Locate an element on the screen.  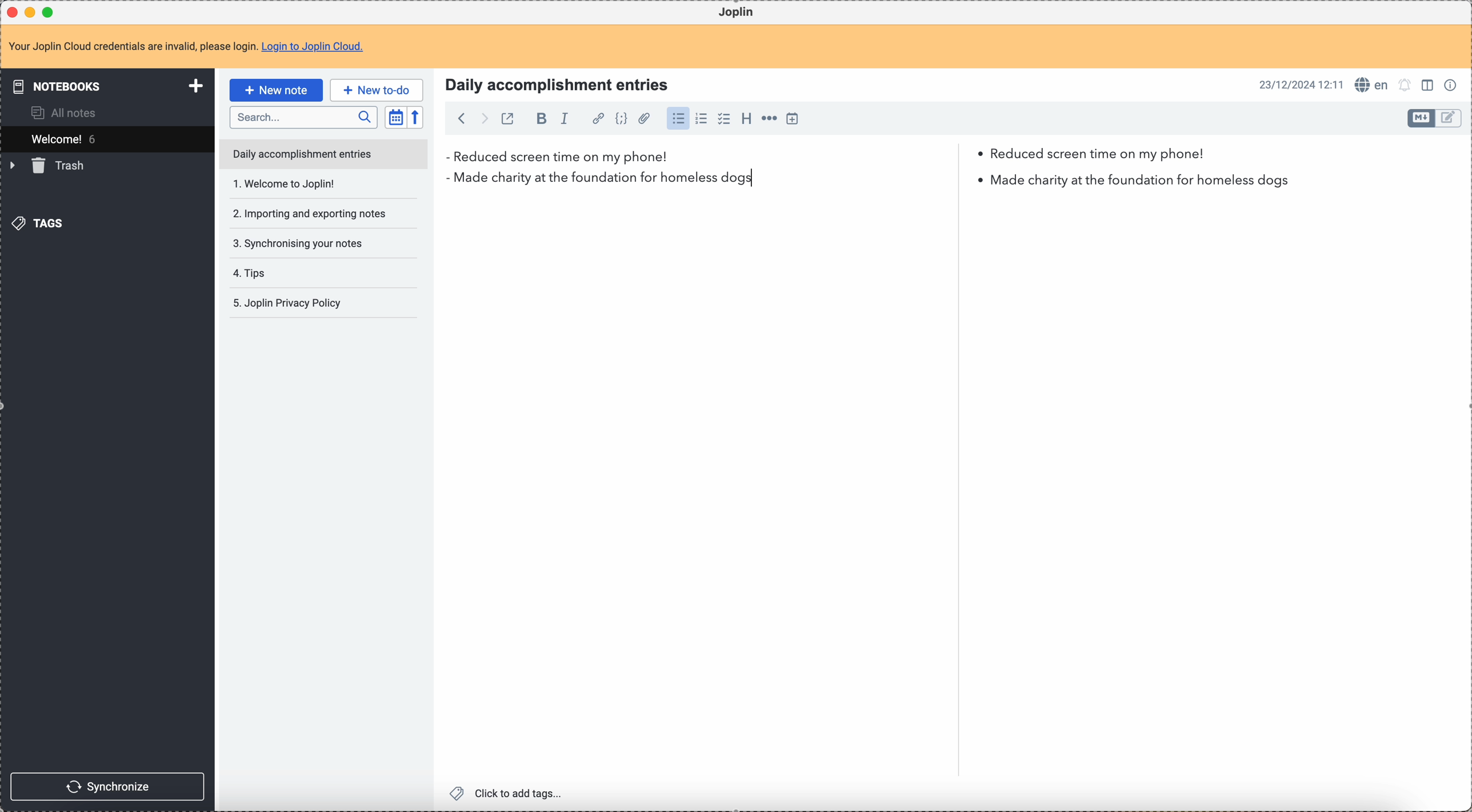
foward is located at coordinates (483, 118).